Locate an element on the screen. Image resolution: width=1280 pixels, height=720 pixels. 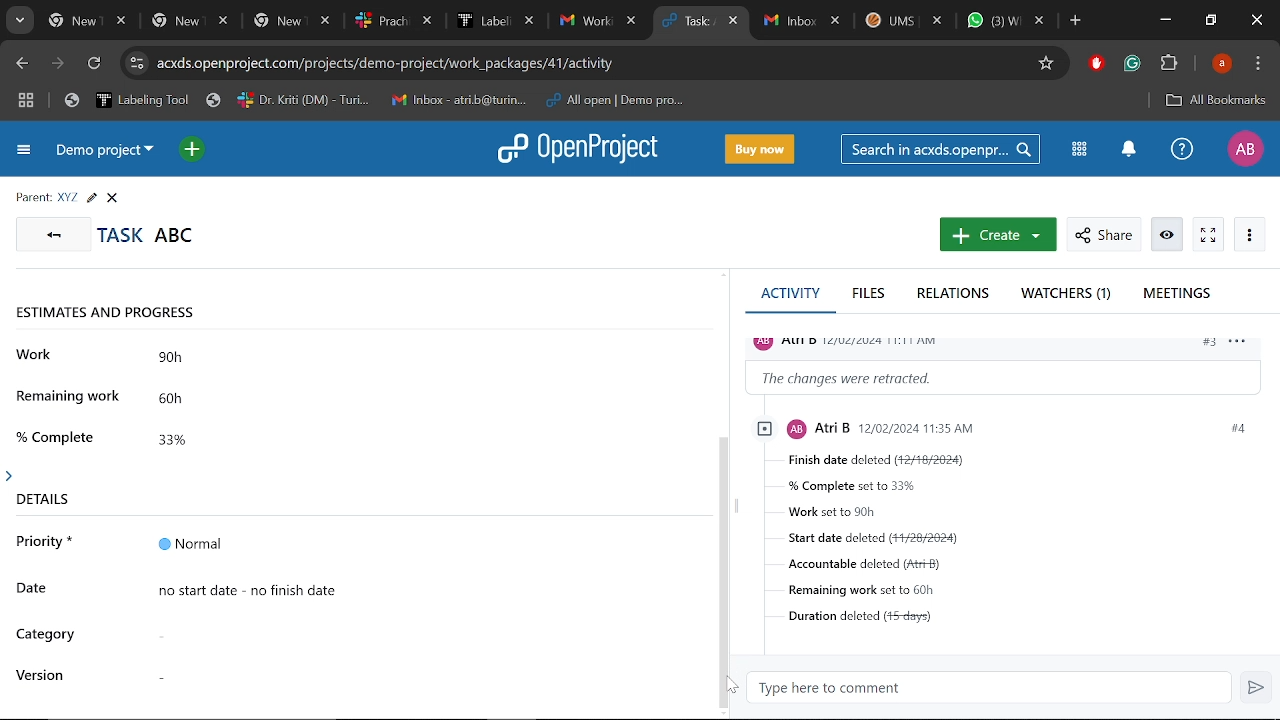
Current tab is located at coordinates (690, 22).